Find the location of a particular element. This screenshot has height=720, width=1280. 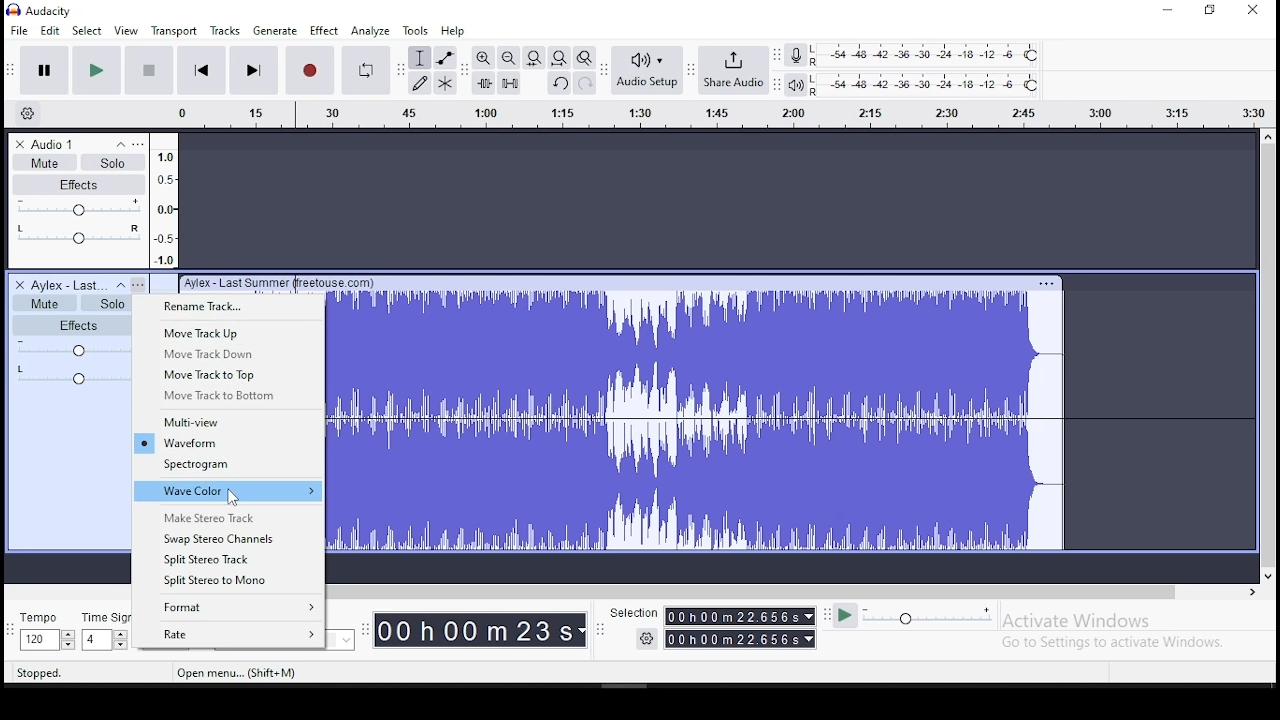

effects is located at coordinates (80, 184).